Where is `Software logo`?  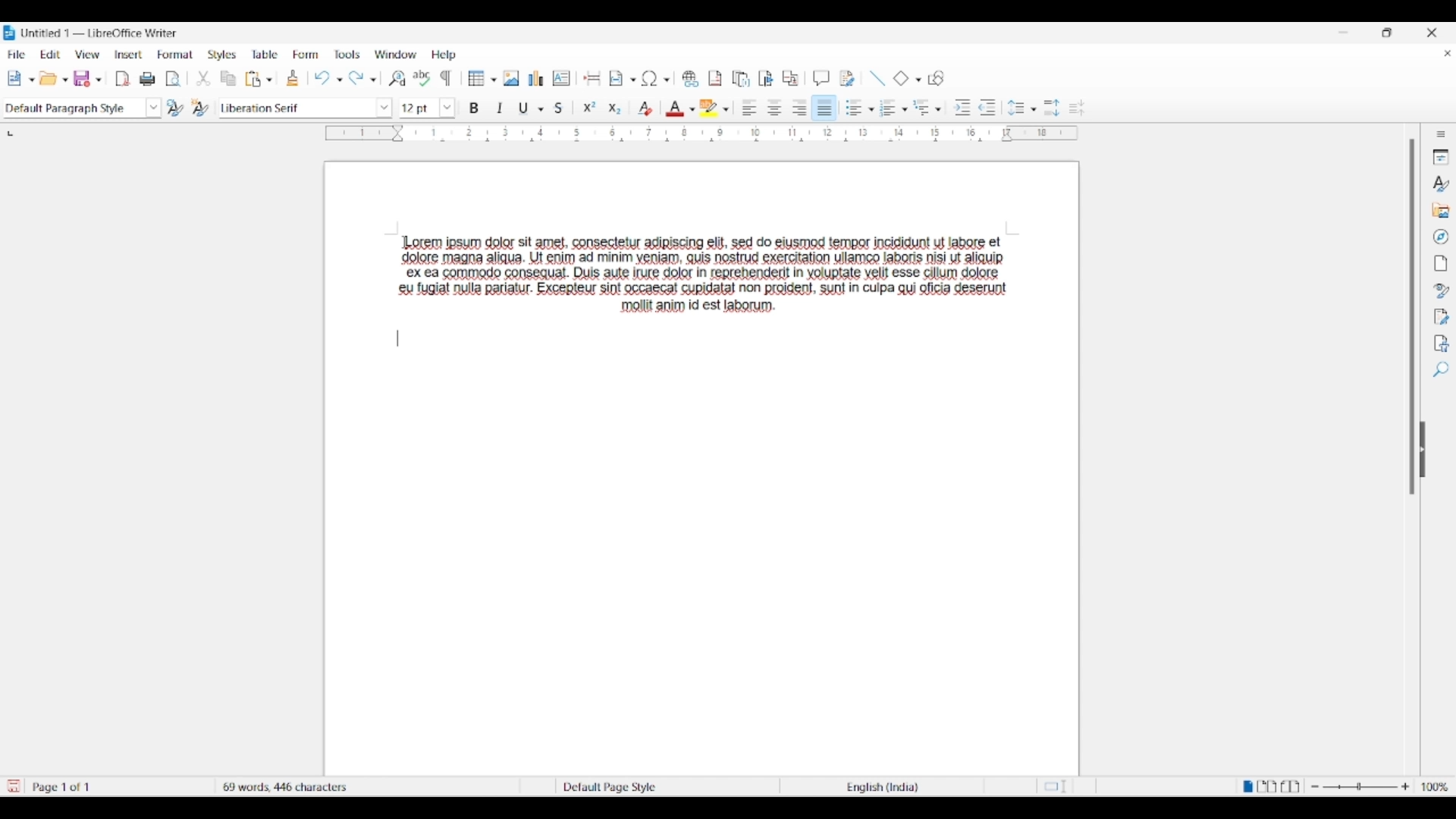 Software logo is located at coordinates (10, 33).